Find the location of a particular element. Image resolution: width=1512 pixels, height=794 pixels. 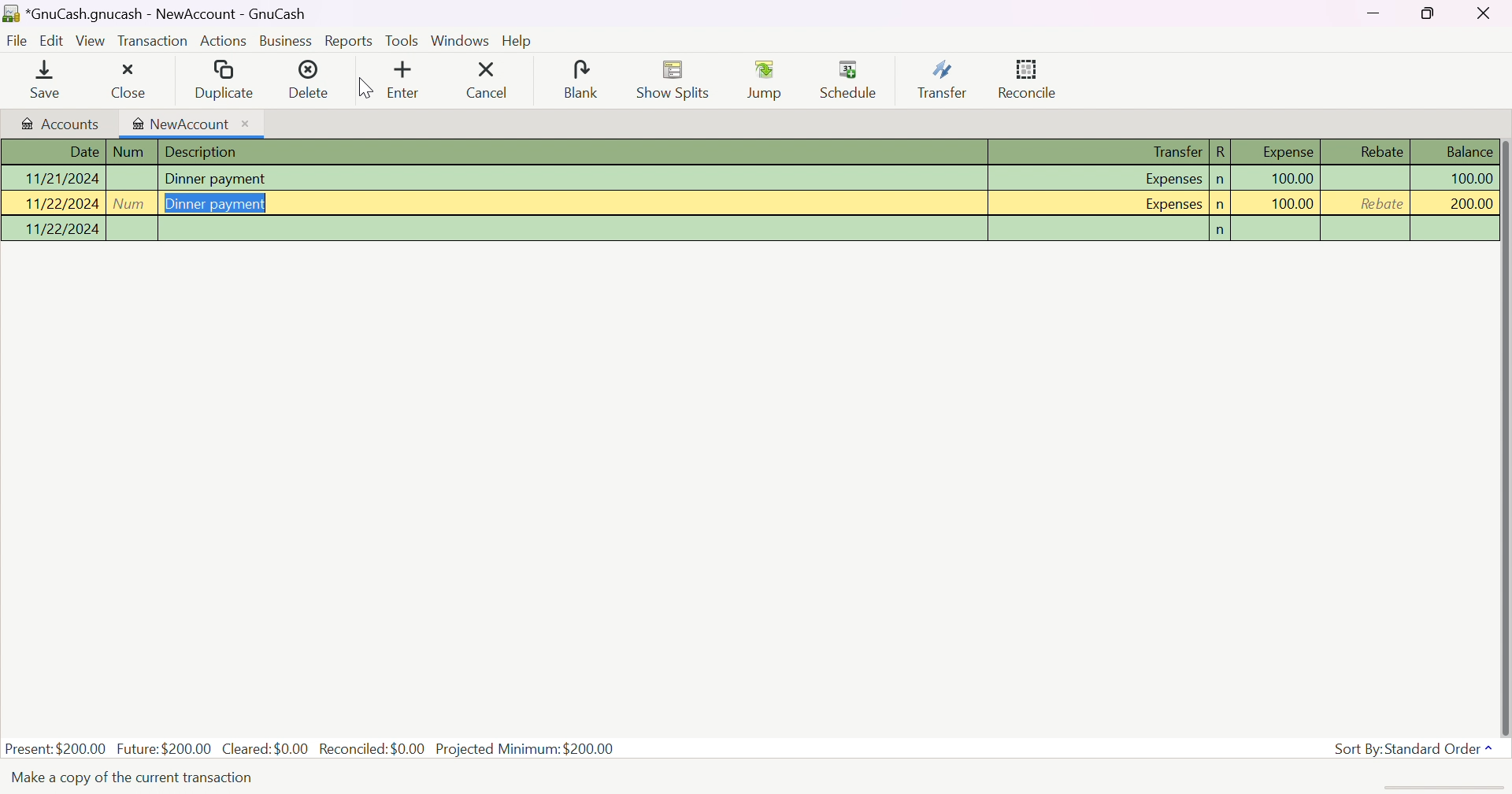

Cursor is located at coordinates (365, 88).